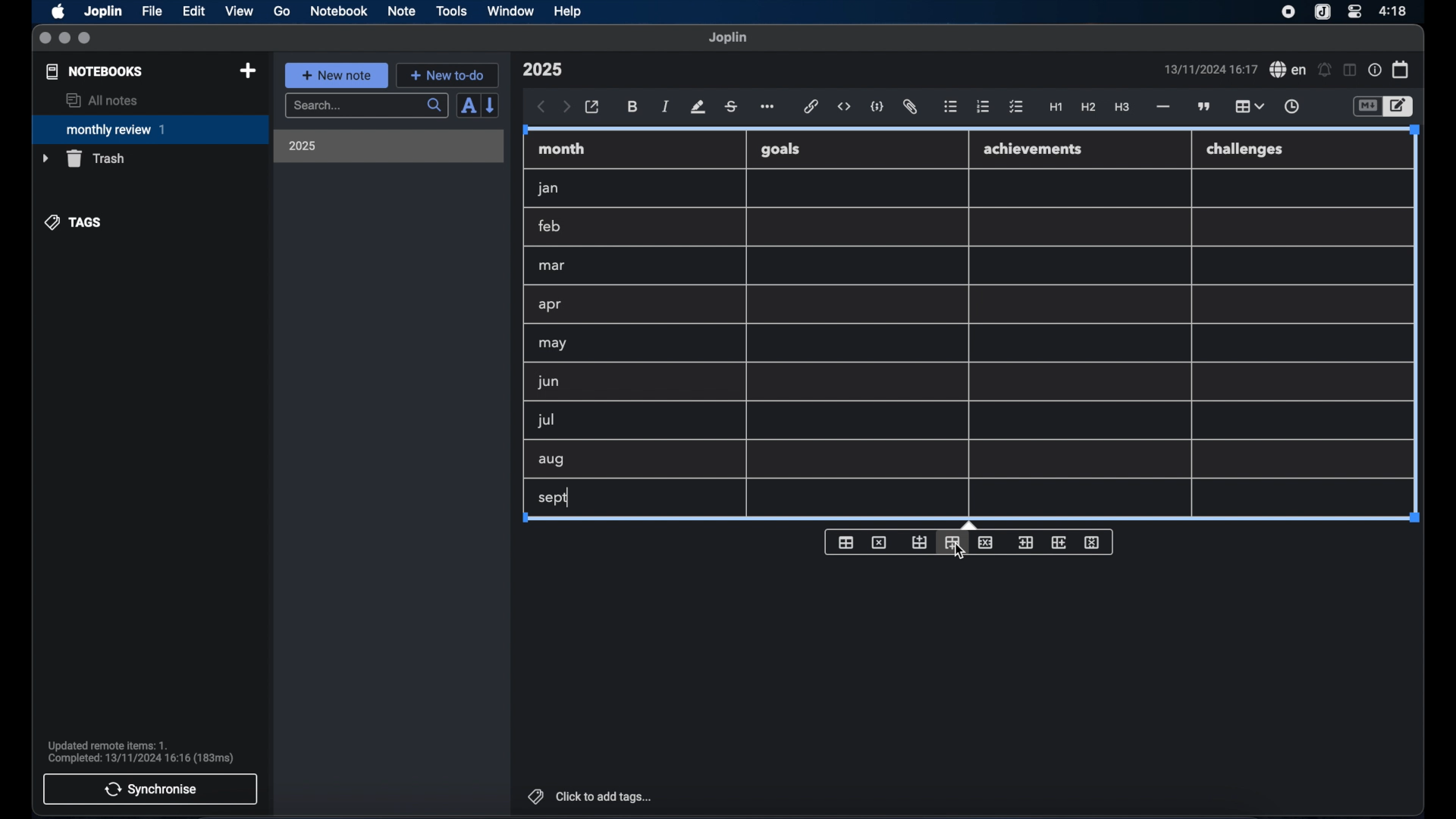 This screenshot has height=819, width=1456. What do you see at coordinates (1246, 150) in the screenshot?
I see `challenges` at bounding box center [1246, 150].